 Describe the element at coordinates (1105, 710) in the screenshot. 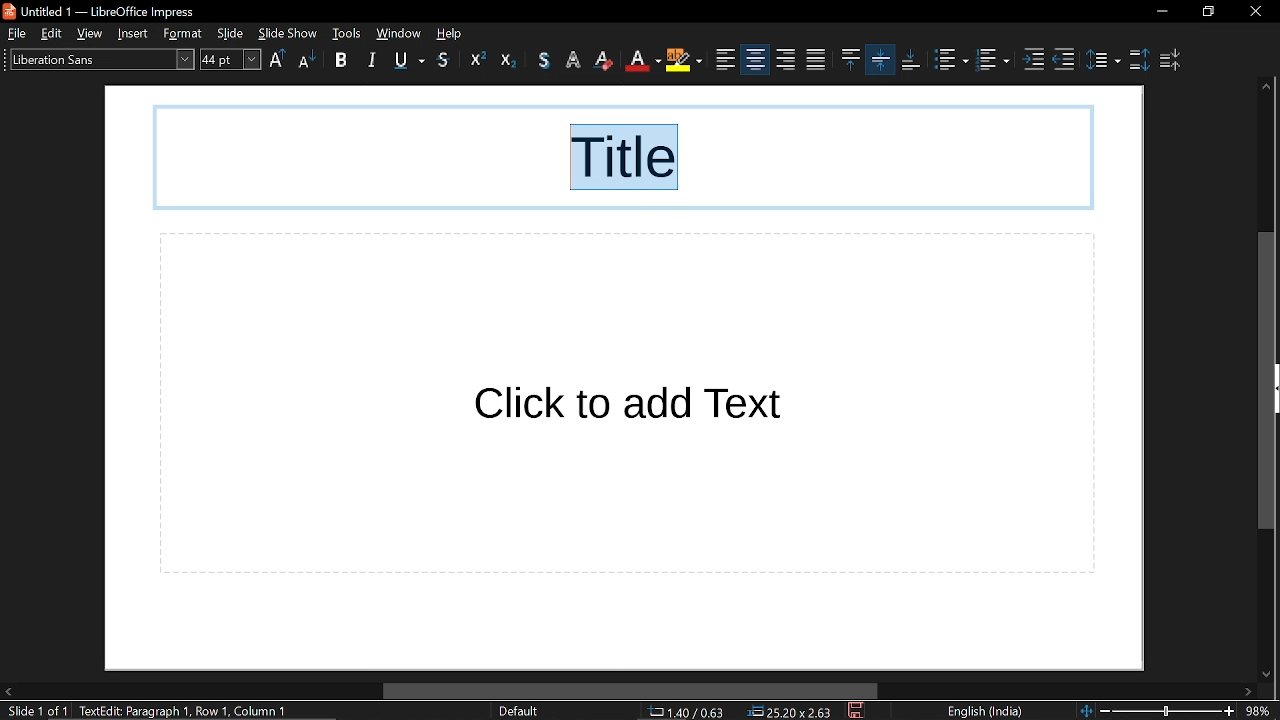

I see `zoom out` at that location.